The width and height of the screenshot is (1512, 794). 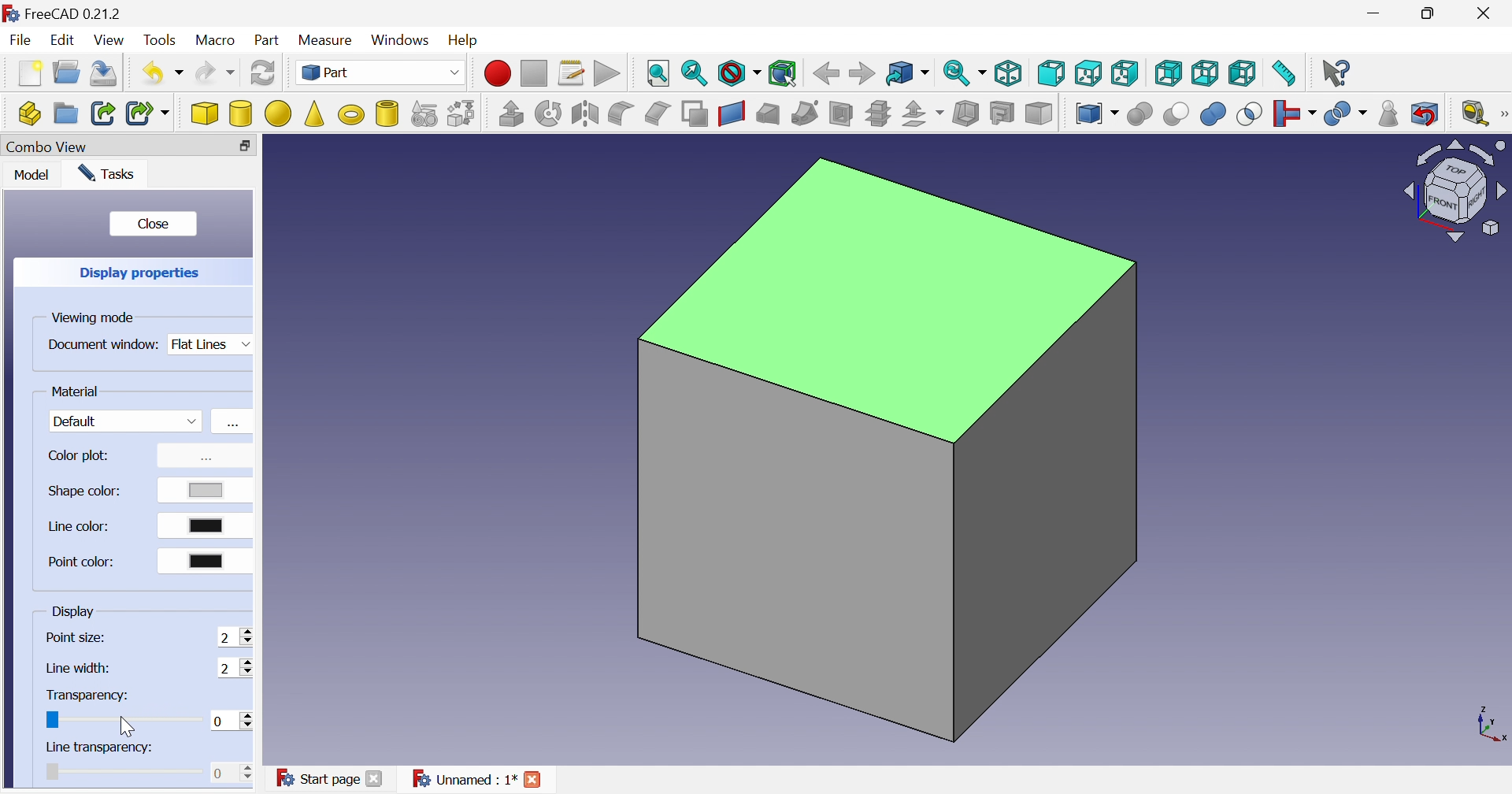 I want to click on Isometric, so click(x=1007, y=72).